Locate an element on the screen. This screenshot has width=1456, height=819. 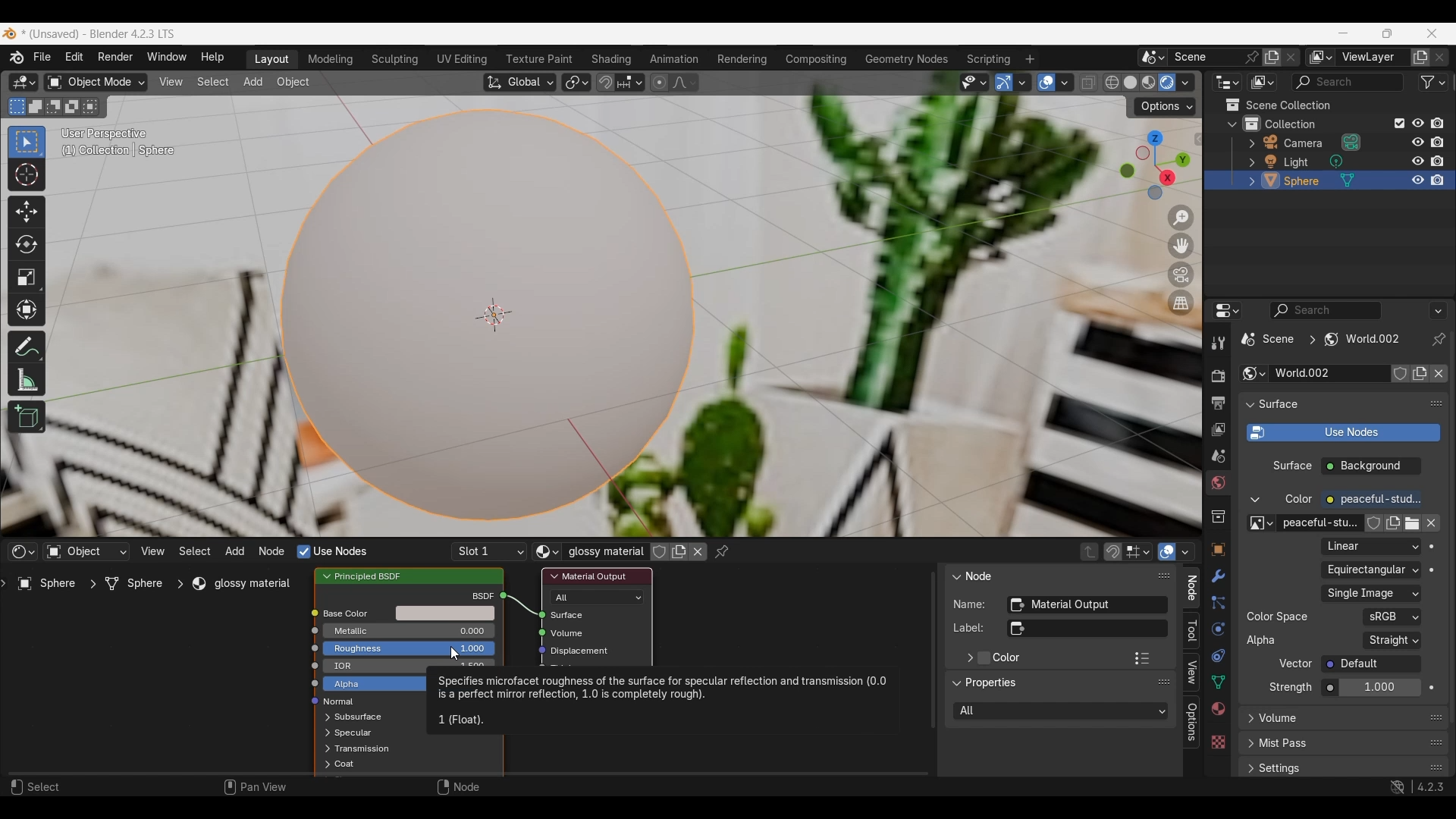
Node menu is located at coordinates (272, 551).